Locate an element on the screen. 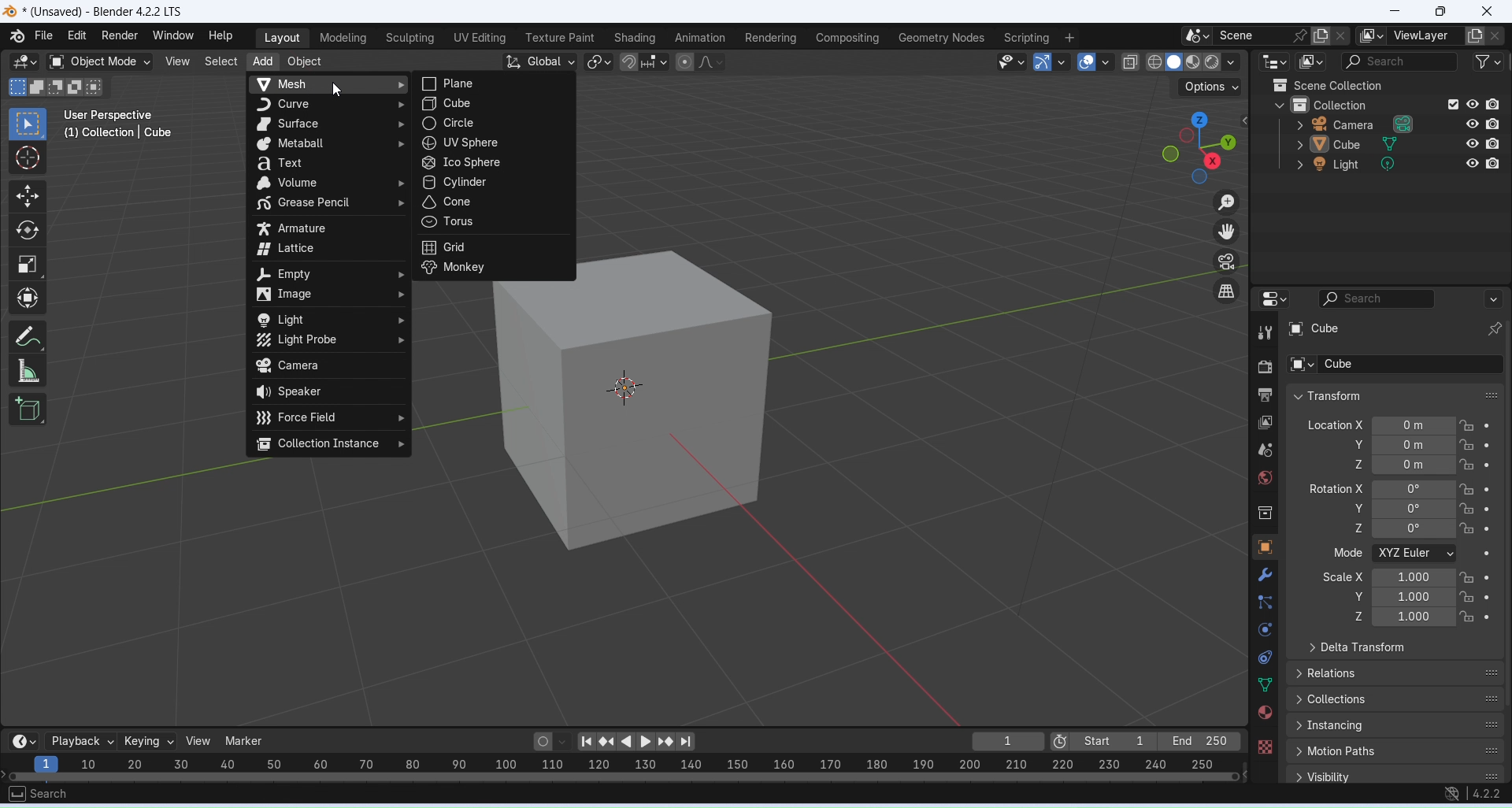 Image resolution: width=1512 pixels, height=808 pixels. Collections is located at coordinates (1396, 699).